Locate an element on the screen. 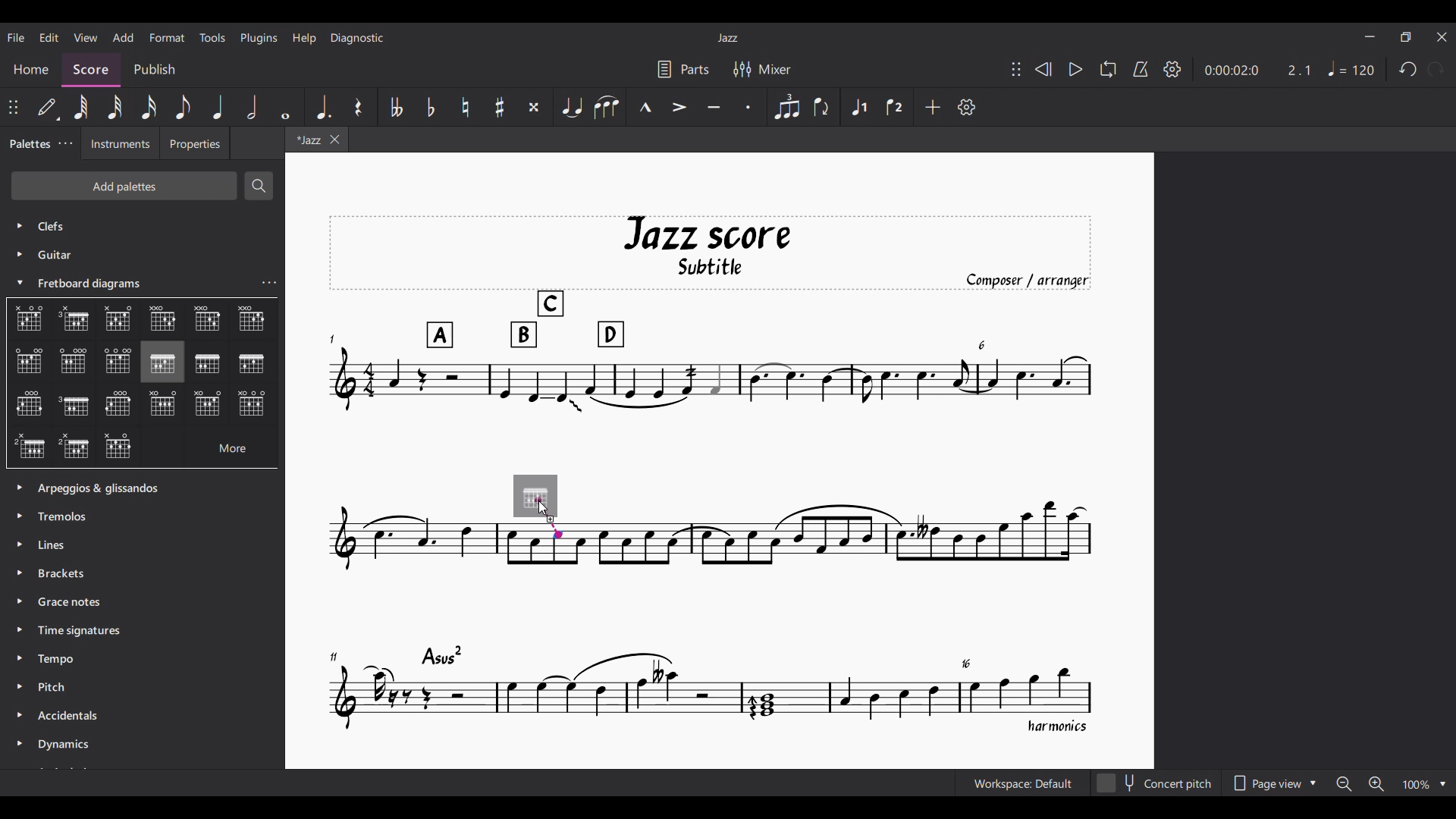 The image size is (1456, 819). Toggle natural is located at coordinates (466, 107).